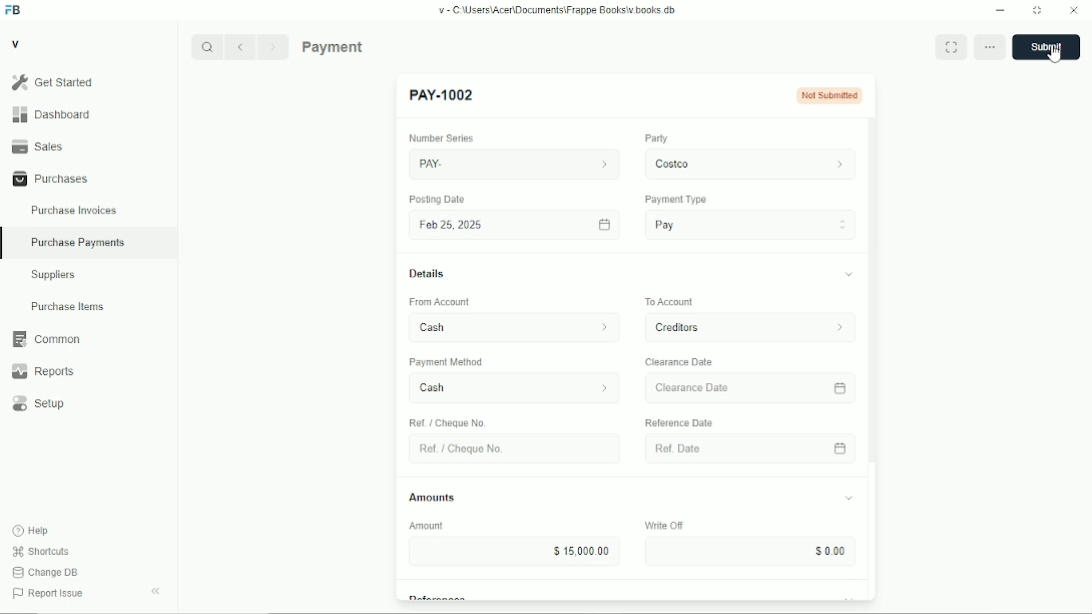 The height and width of the screenshot is (614, 1092). What do you see at coordinates (659, 524) in the screenshot?
I see `Write OF` at bounding box center [659, 524].